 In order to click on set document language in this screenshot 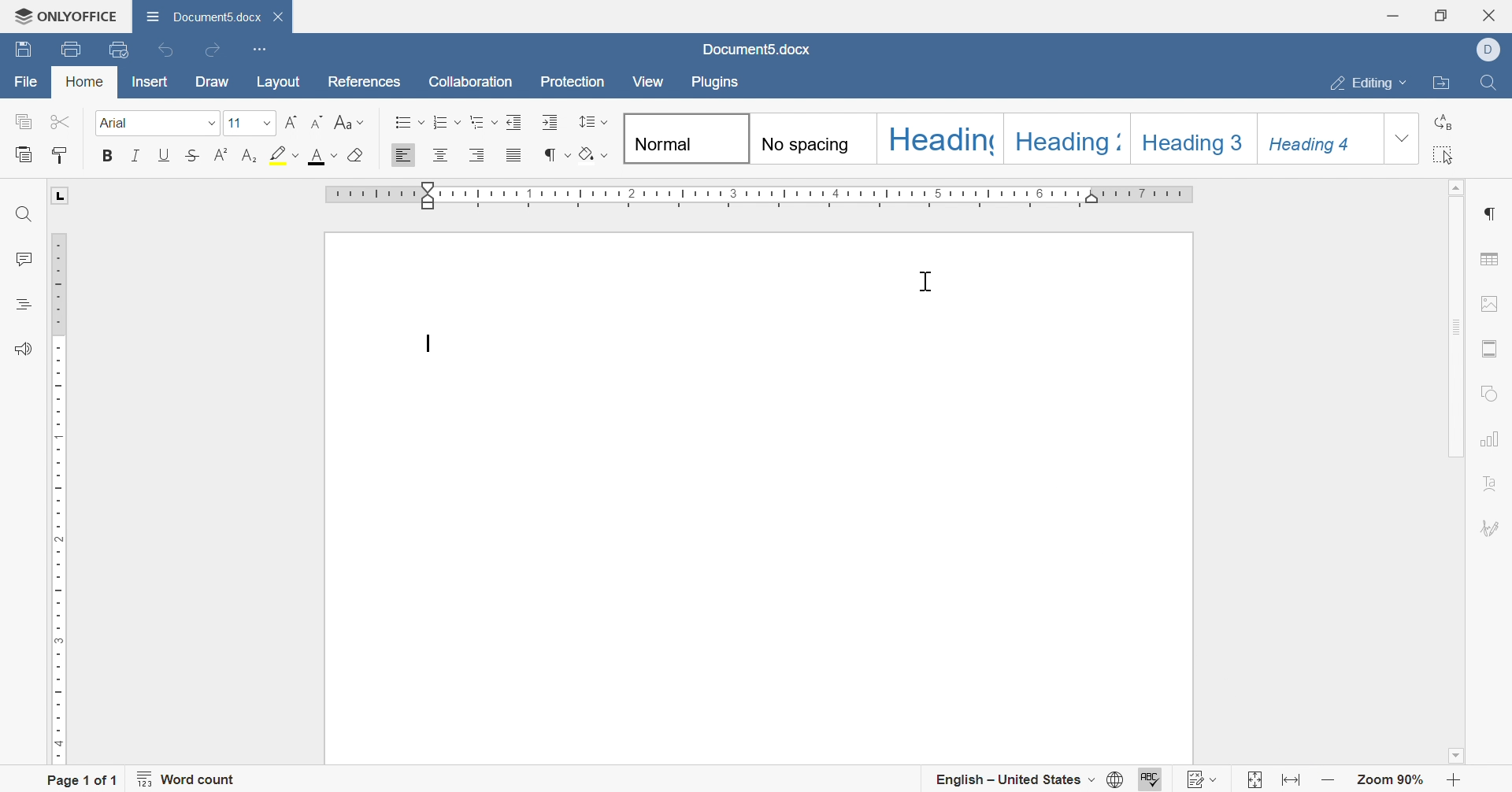, I will do `click(1116, 778)`.